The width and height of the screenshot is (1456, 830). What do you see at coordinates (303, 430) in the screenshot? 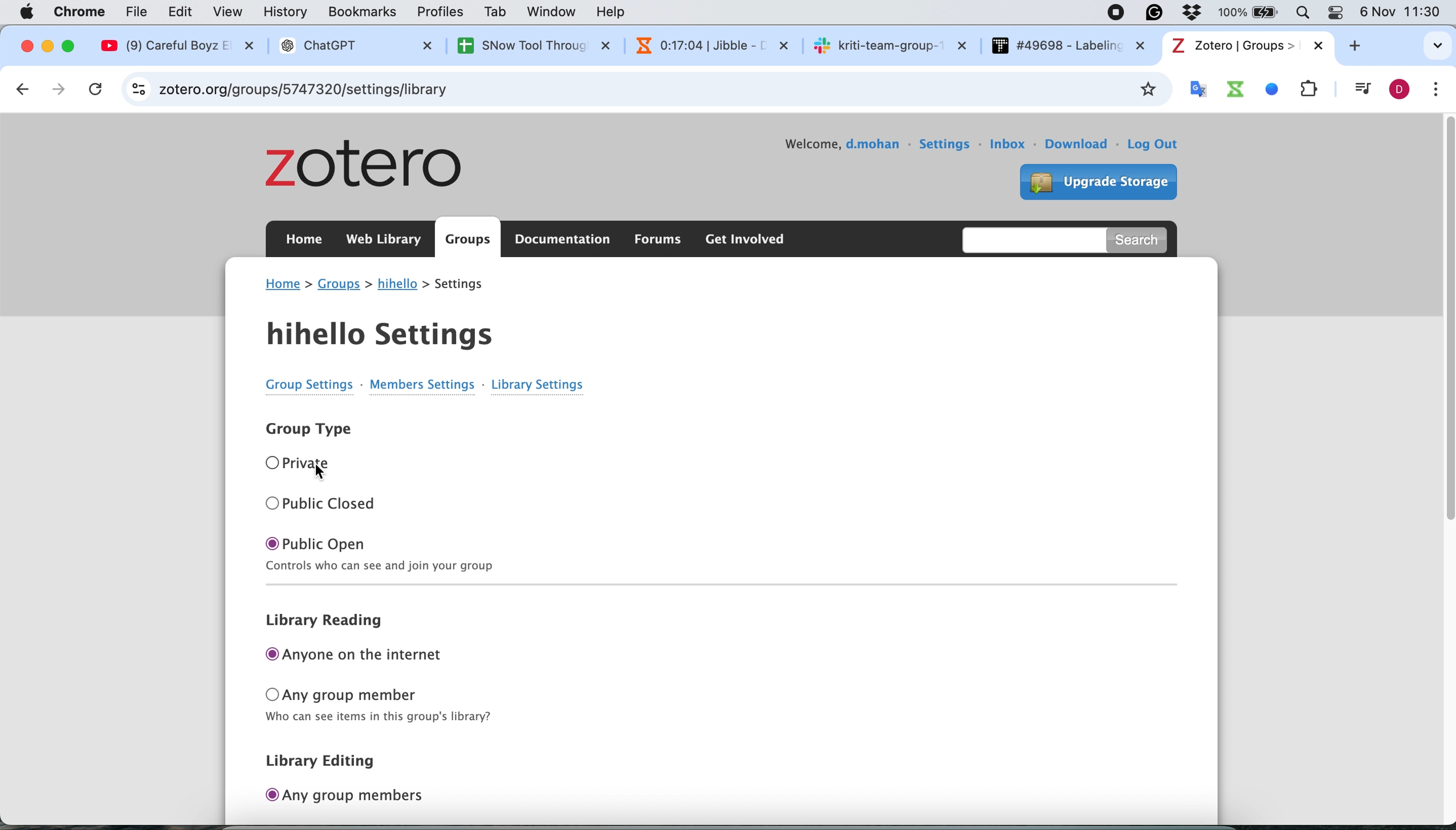
I see `Group Type` at bounding box center [303, 430].